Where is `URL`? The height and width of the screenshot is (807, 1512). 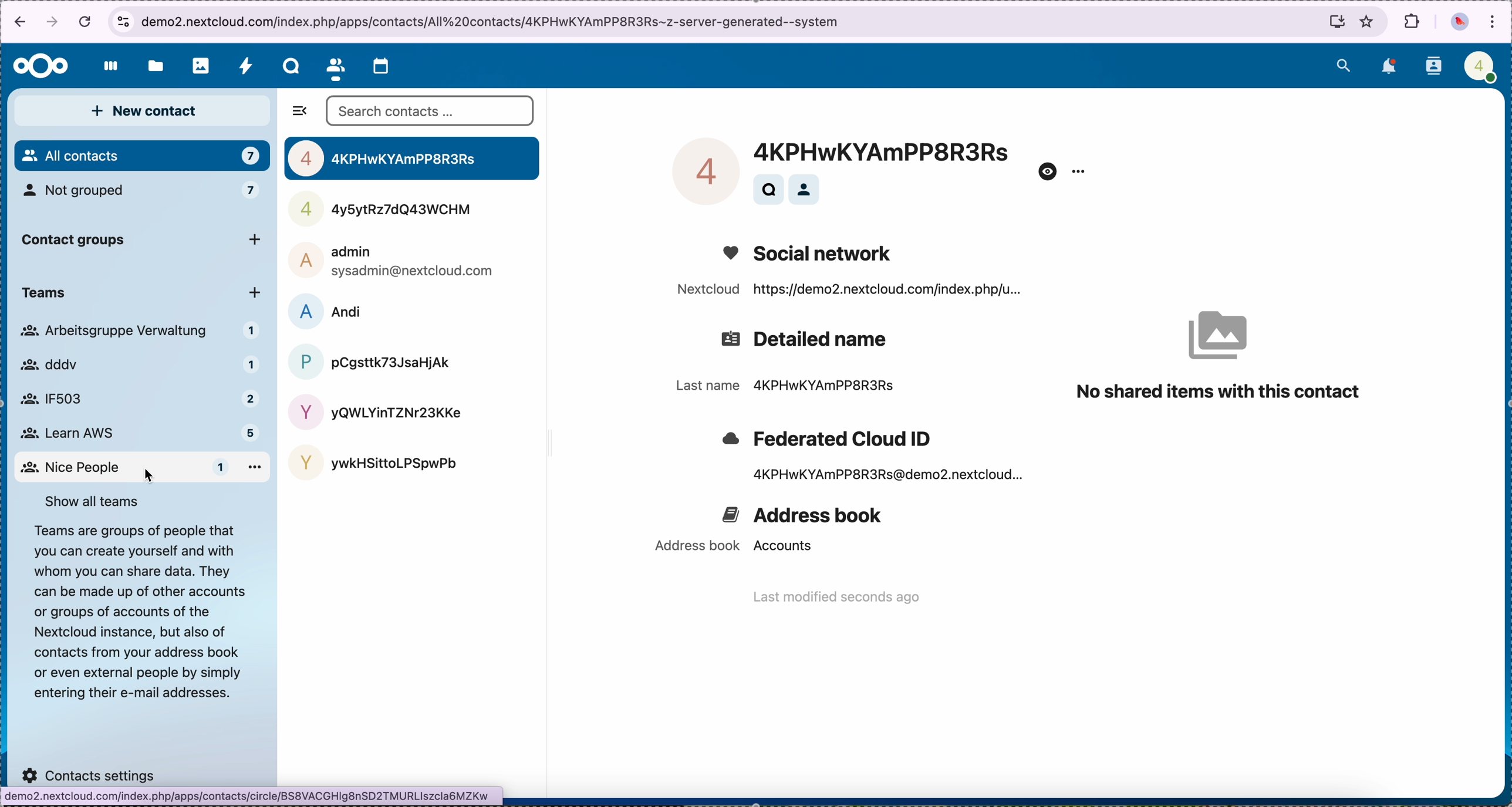
URL is located at coordinates (889, 477).